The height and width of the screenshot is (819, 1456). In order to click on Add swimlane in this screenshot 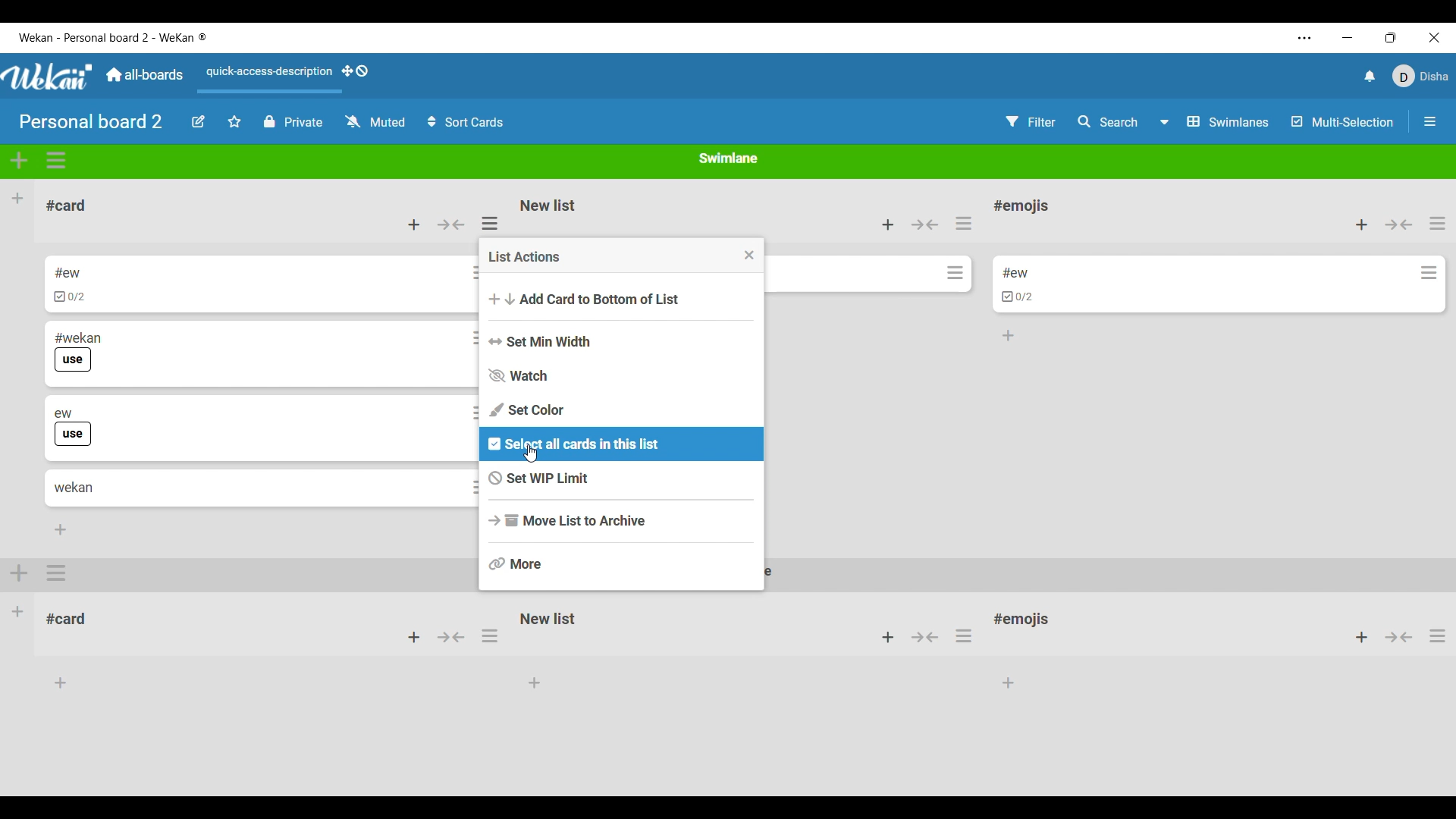, I will do `click(19, 161)`.